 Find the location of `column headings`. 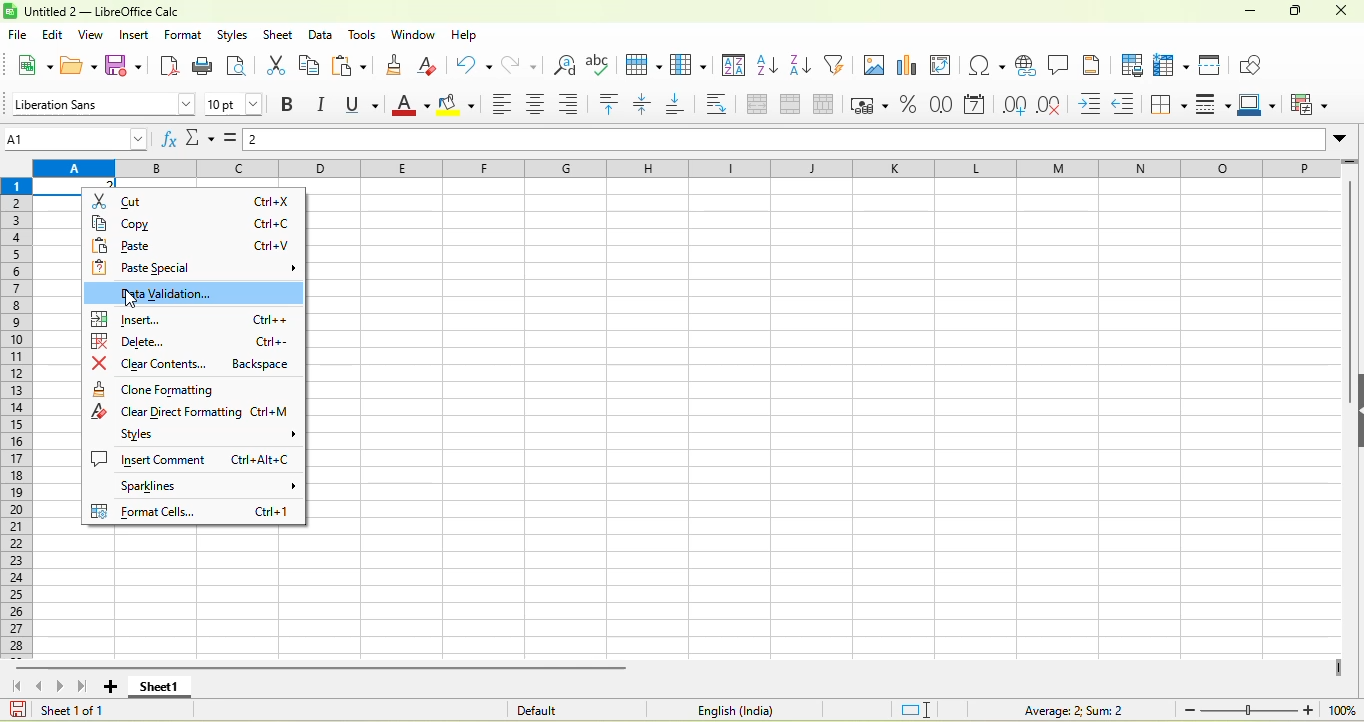

column headings is located at coordinates (685, 167).